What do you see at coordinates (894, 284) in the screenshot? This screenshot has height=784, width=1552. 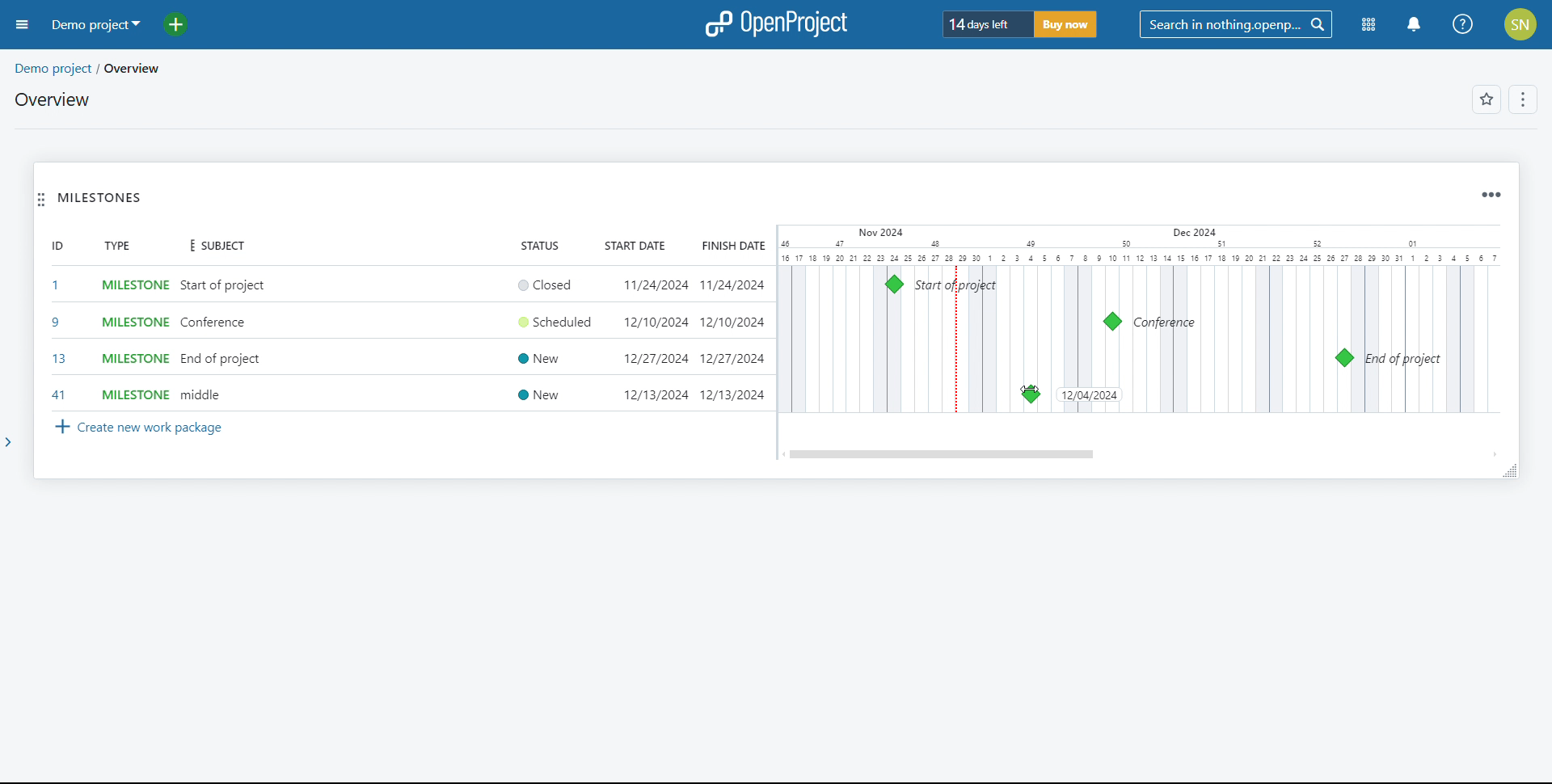 I see `milestone 1` at bounding box center [894, 284].